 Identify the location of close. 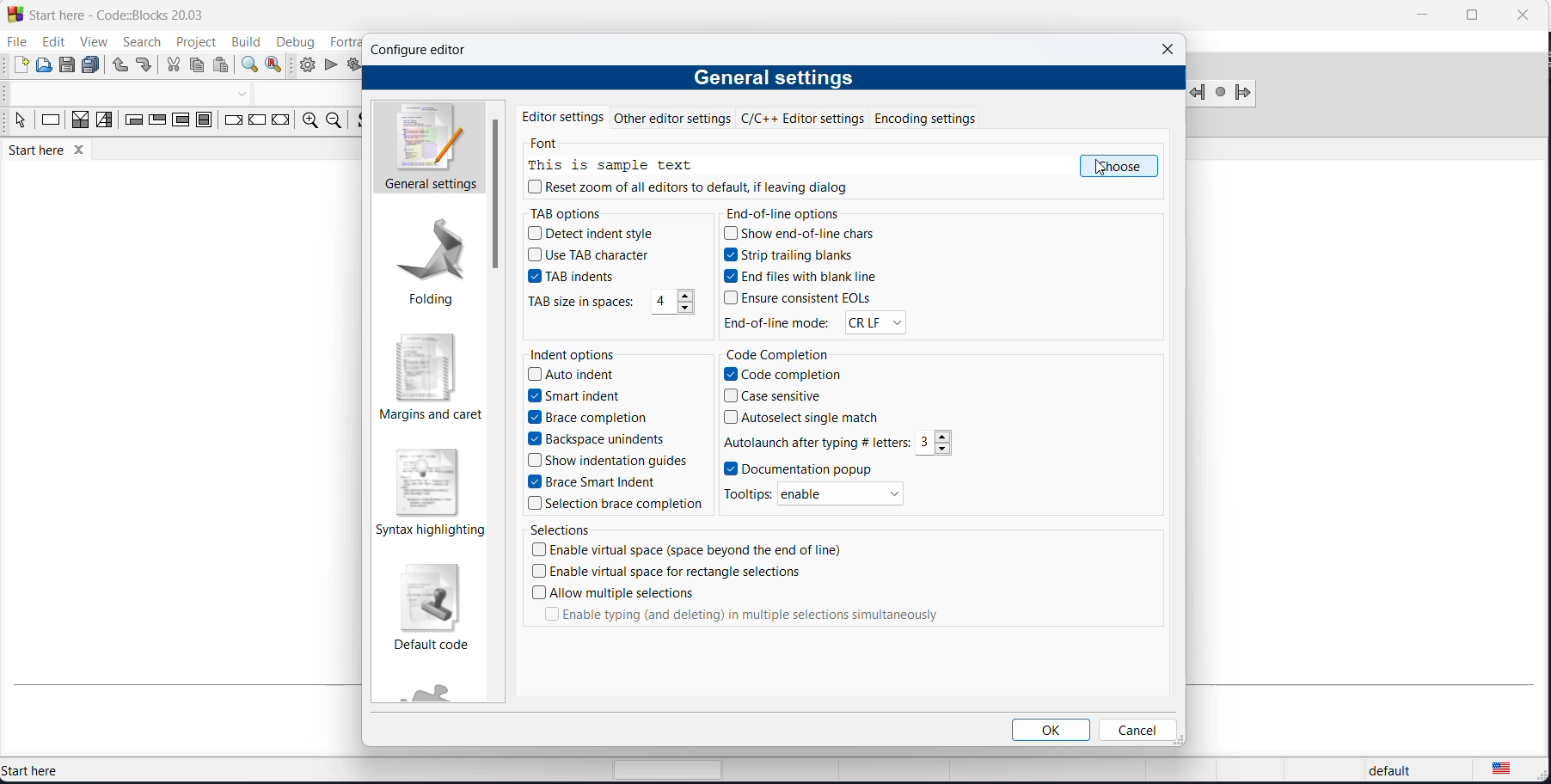
(1521, 14).